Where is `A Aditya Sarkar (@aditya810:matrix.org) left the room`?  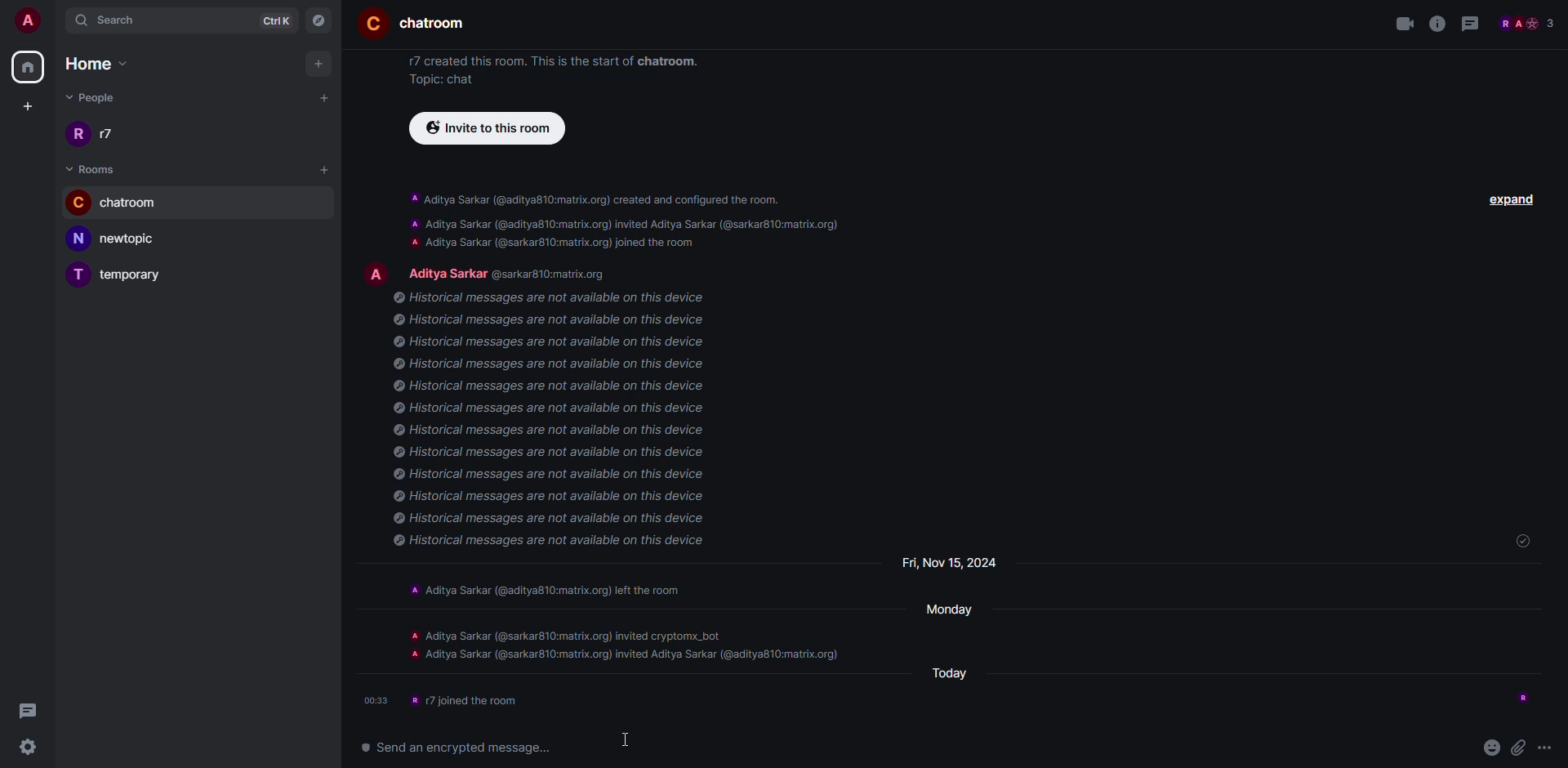 A Aditya Sarkar (@aditya810:matrix.org) left the room is located at coordinates (556, 588).